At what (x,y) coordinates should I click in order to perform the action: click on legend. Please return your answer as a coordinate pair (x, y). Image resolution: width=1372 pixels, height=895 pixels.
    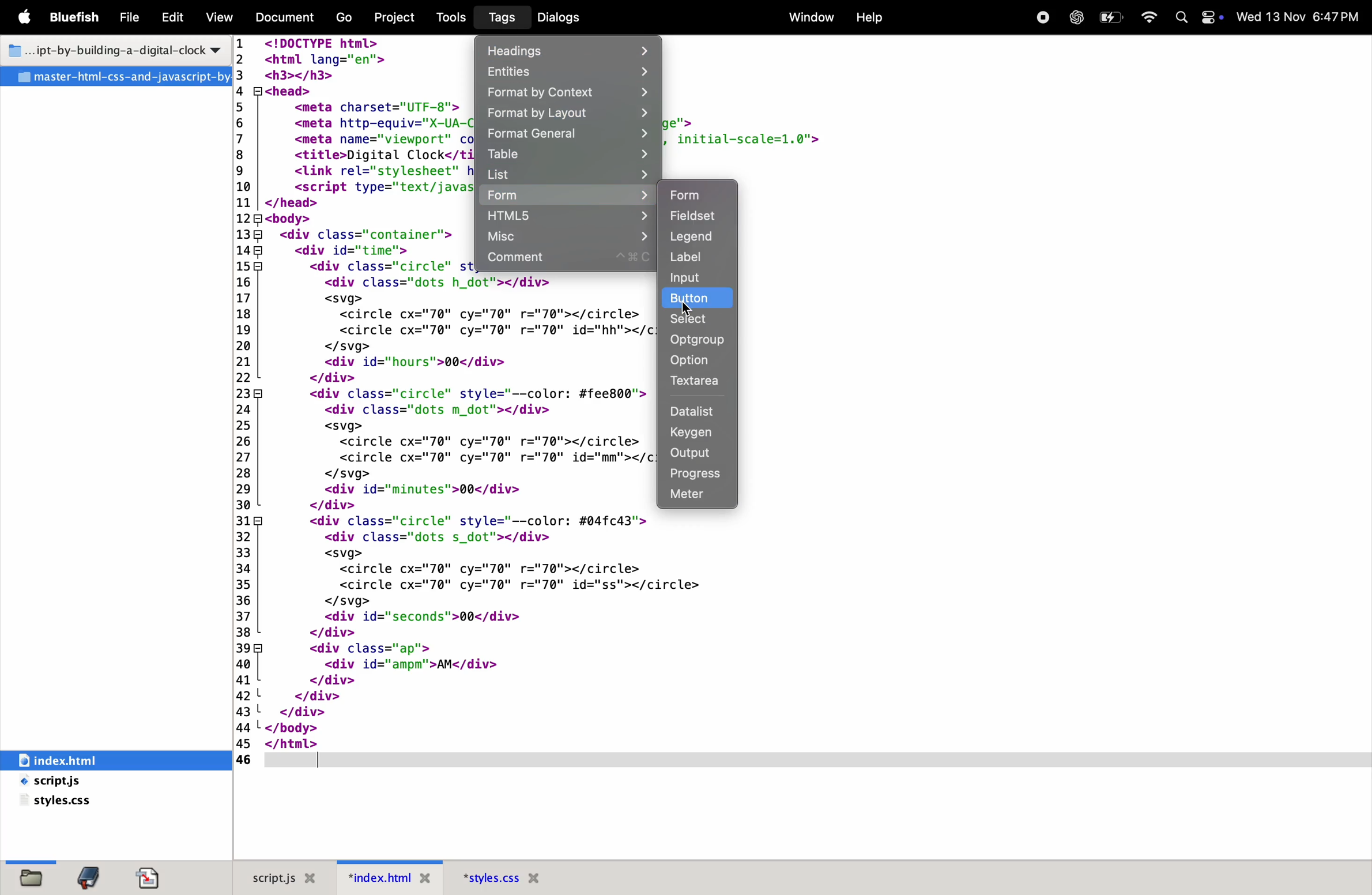
    Looking at the image, I should click on (694, 237).